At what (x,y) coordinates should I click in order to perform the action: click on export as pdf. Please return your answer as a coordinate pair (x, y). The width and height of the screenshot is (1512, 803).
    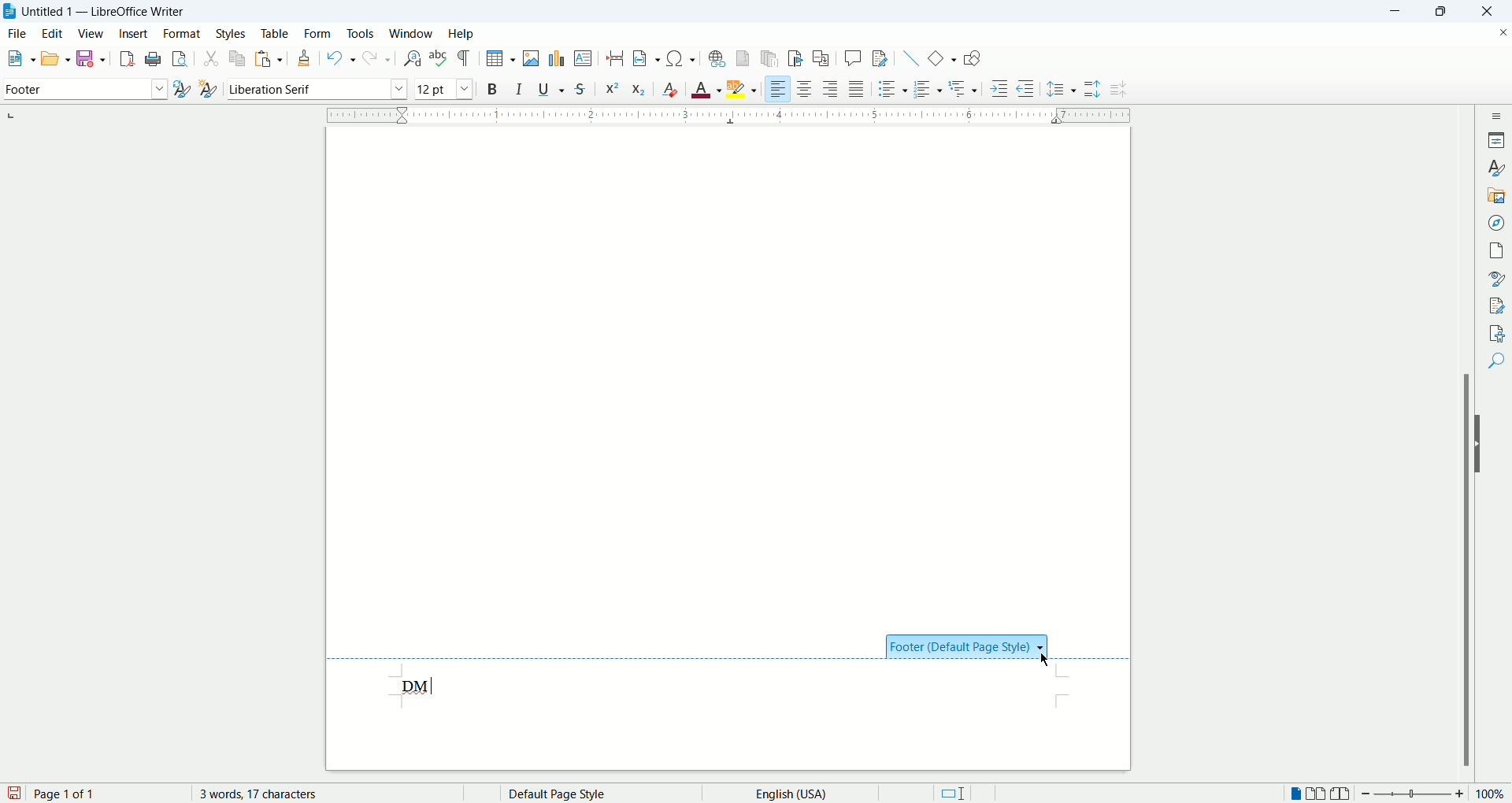
    Looking at the image, I should click on (124, 58).